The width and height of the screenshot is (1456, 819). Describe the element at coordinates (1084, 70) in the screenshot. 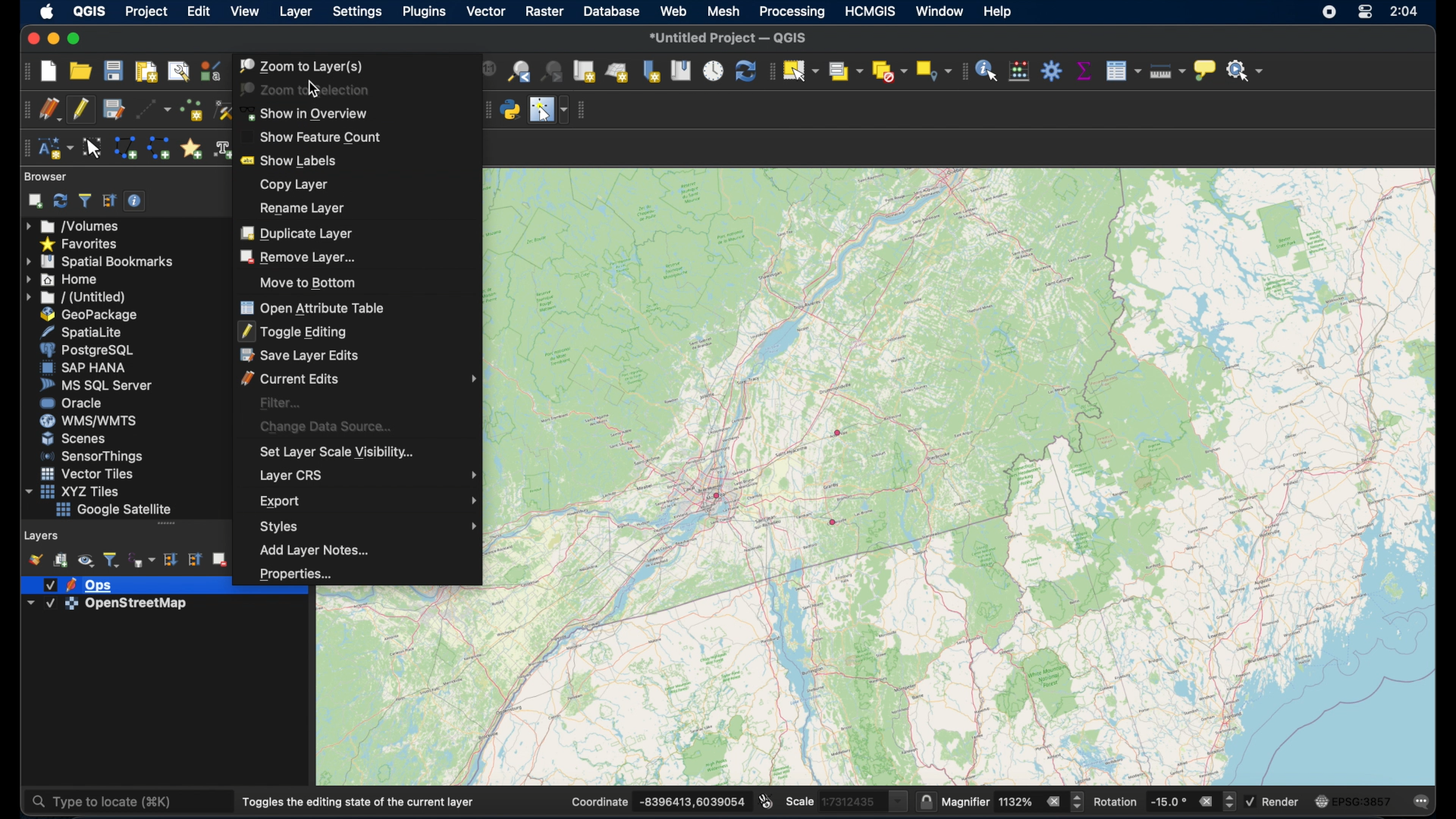

I see `show statistical summary` at that location.